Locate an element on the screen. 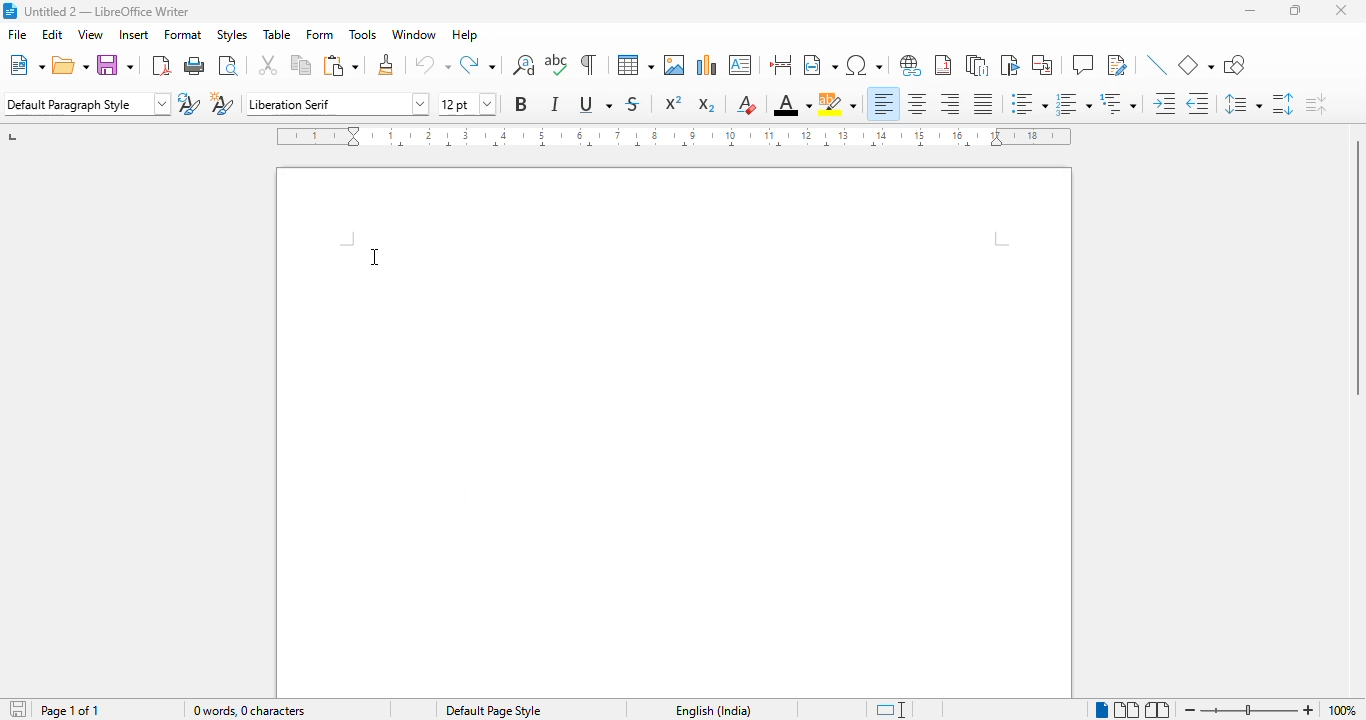 The width and height of the screenshot is (1366, 720). zoom in is located at coordinates (1307, 711).